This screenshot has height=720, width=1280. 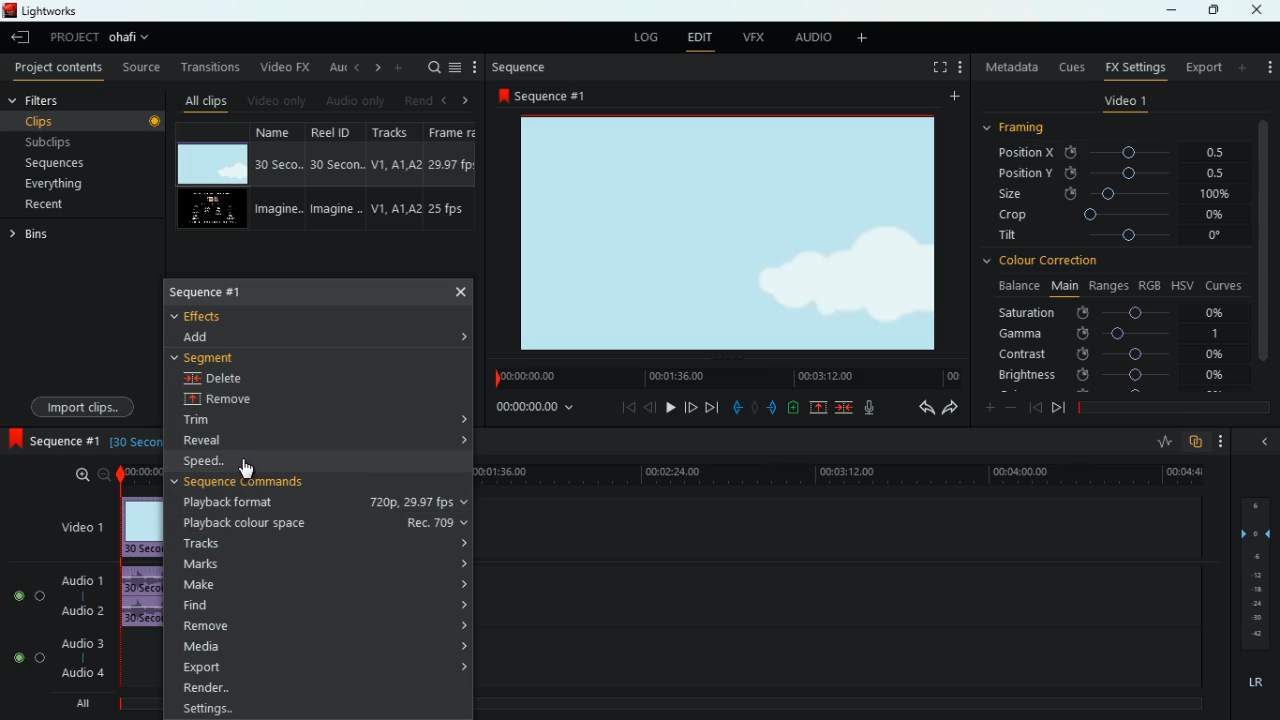 I want to click on up, so click(x=820, y=407).